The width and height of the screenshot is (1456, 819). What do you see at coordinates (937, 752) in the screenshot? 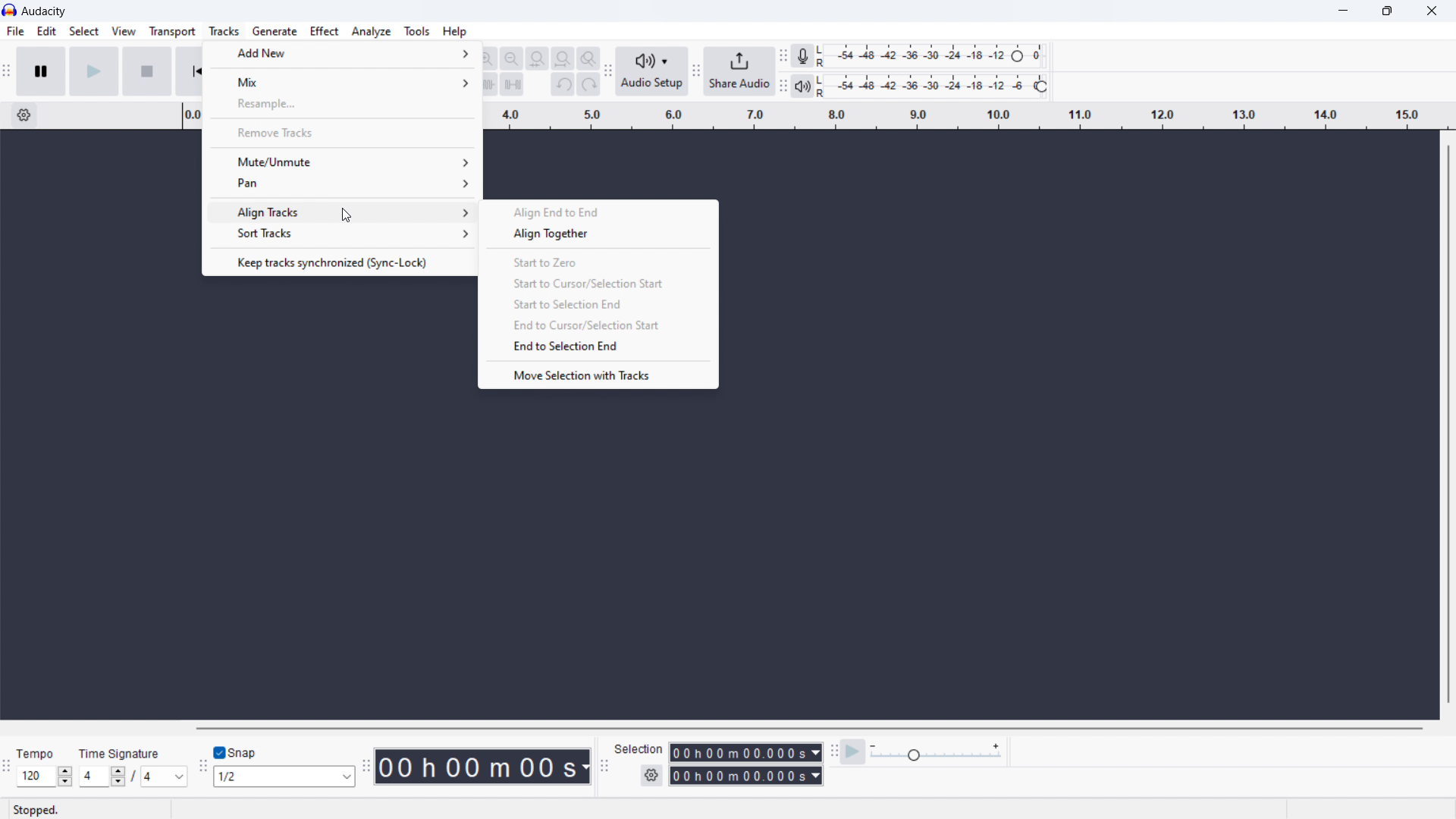
I see `playback speed` at bounding box center [937, 752].